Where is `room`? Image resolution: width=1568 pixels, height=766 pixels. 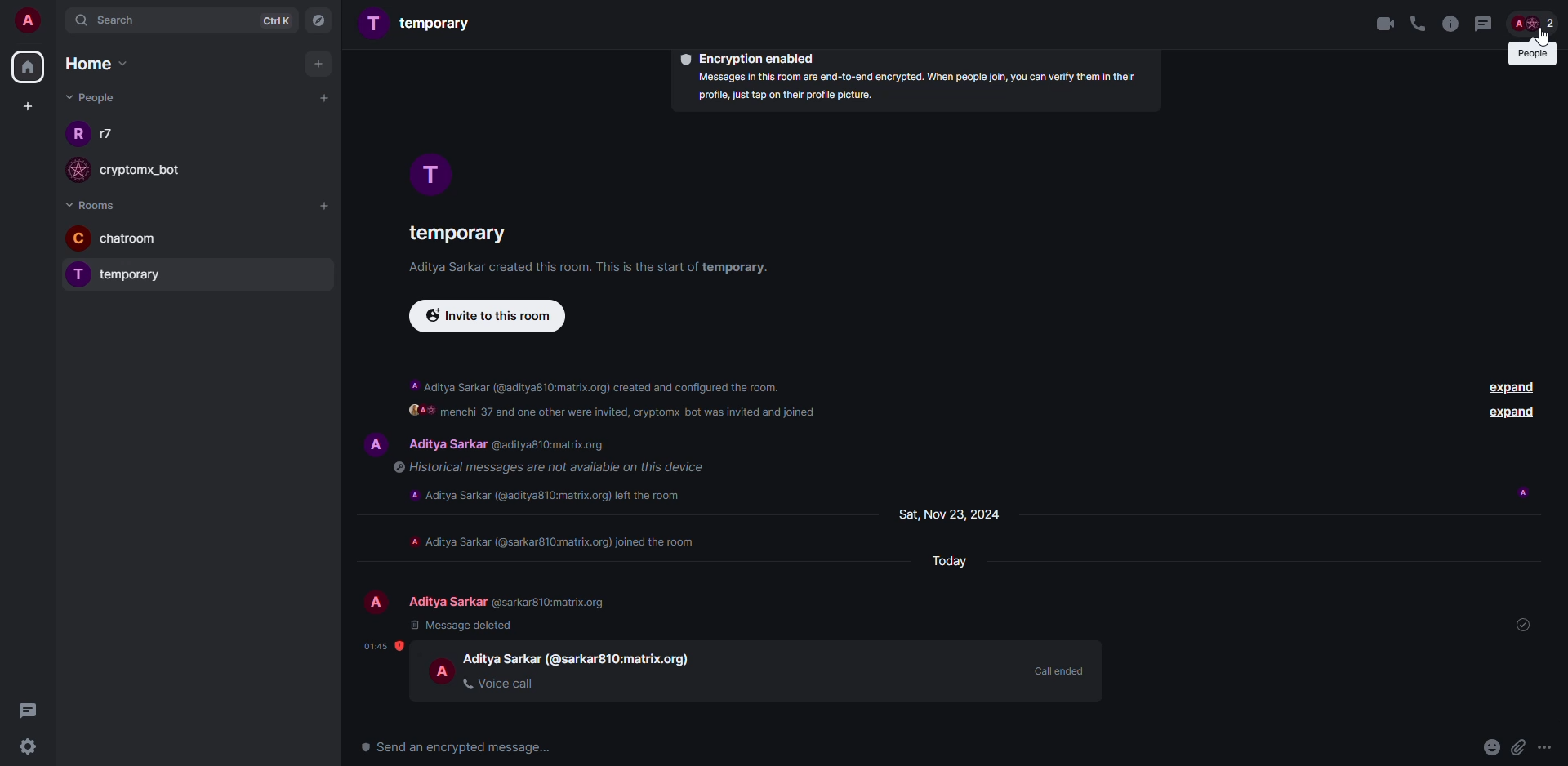
room is located at coordinates (455, 230).